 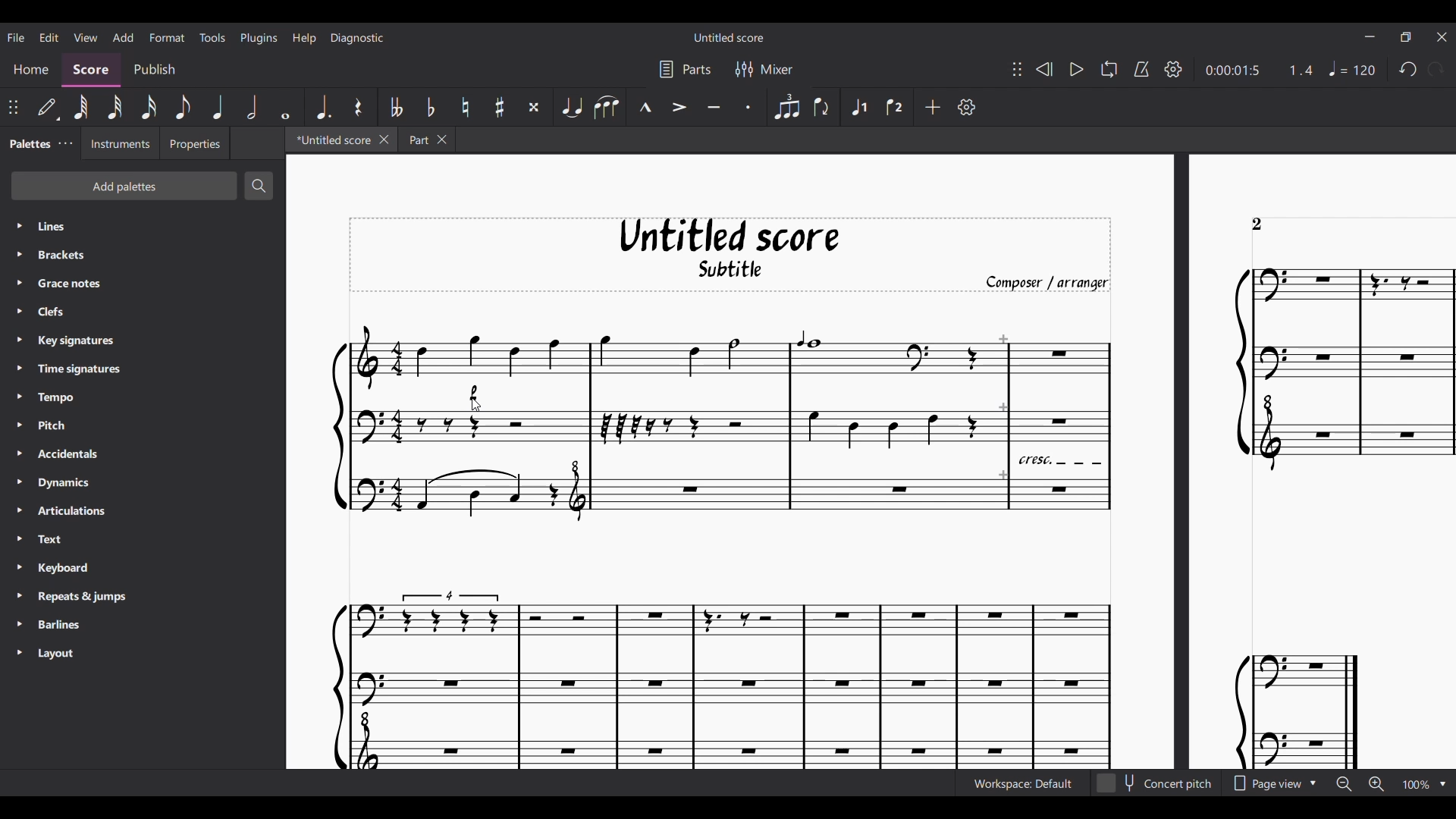 I want to click on Score title, sub-title, and composer name, so click(x=730, y=255).